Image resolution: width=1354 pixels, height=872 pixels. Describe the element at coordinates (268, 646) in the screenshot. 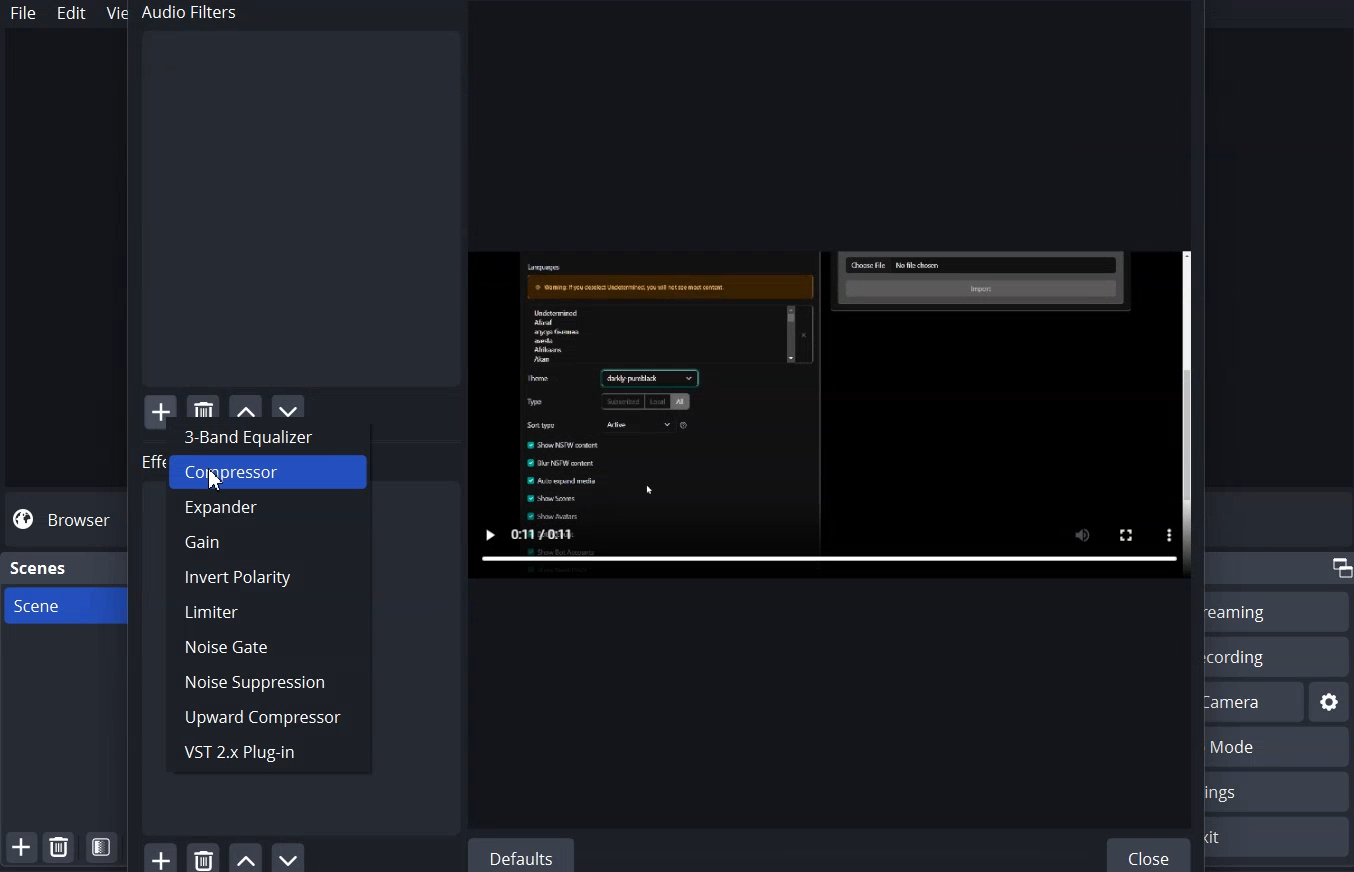

I see `Noise Gate` at that location.